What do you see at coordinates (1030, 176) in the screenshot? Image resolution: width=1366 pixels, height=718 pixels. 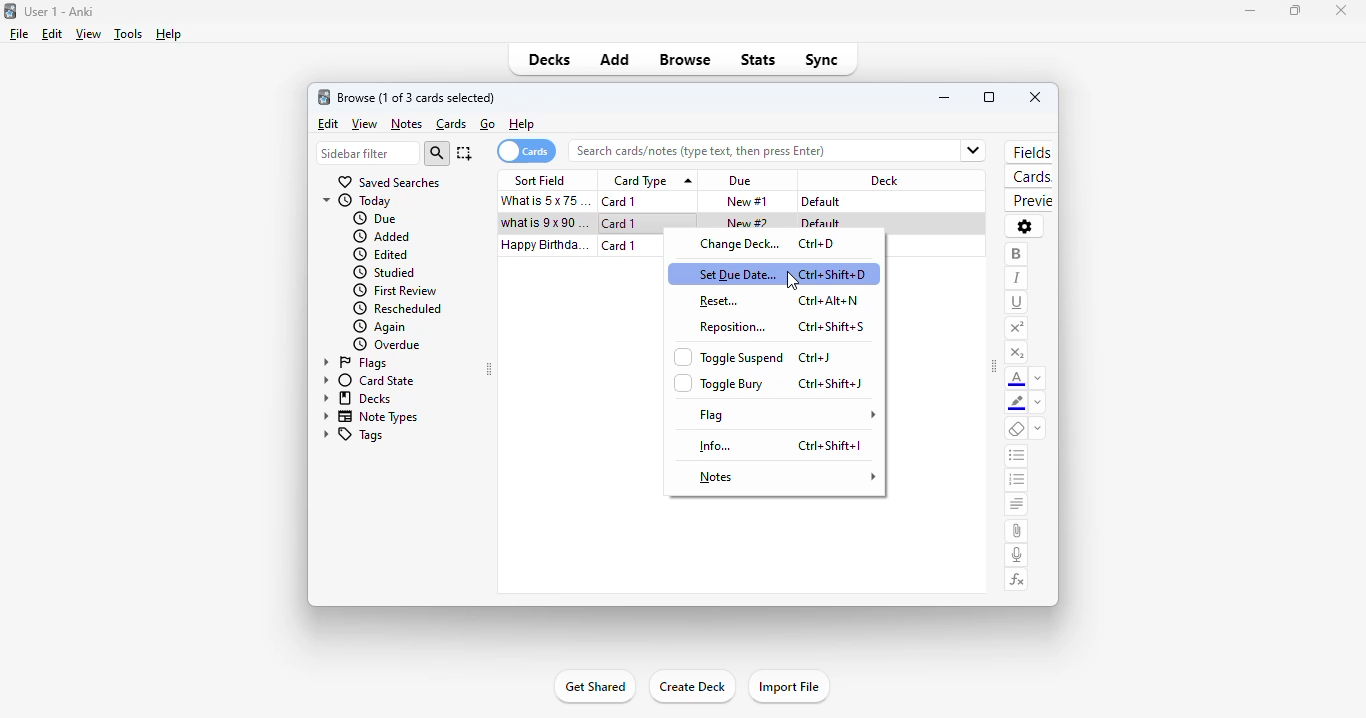 I see `cards` at bounding box center [1030, 176].